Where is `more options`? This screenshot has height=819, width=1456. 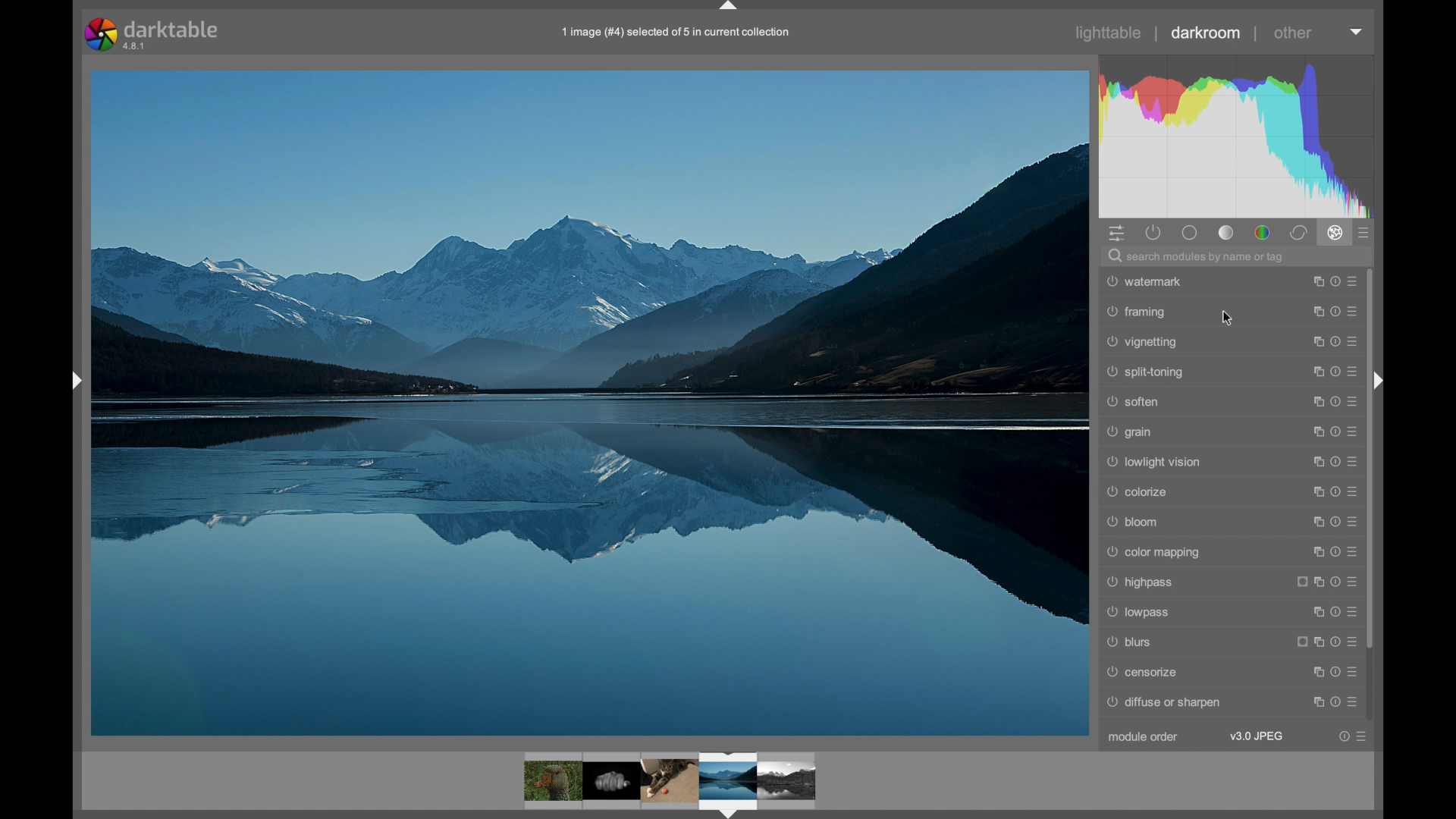 more options is located at coordinates (1353, 736).